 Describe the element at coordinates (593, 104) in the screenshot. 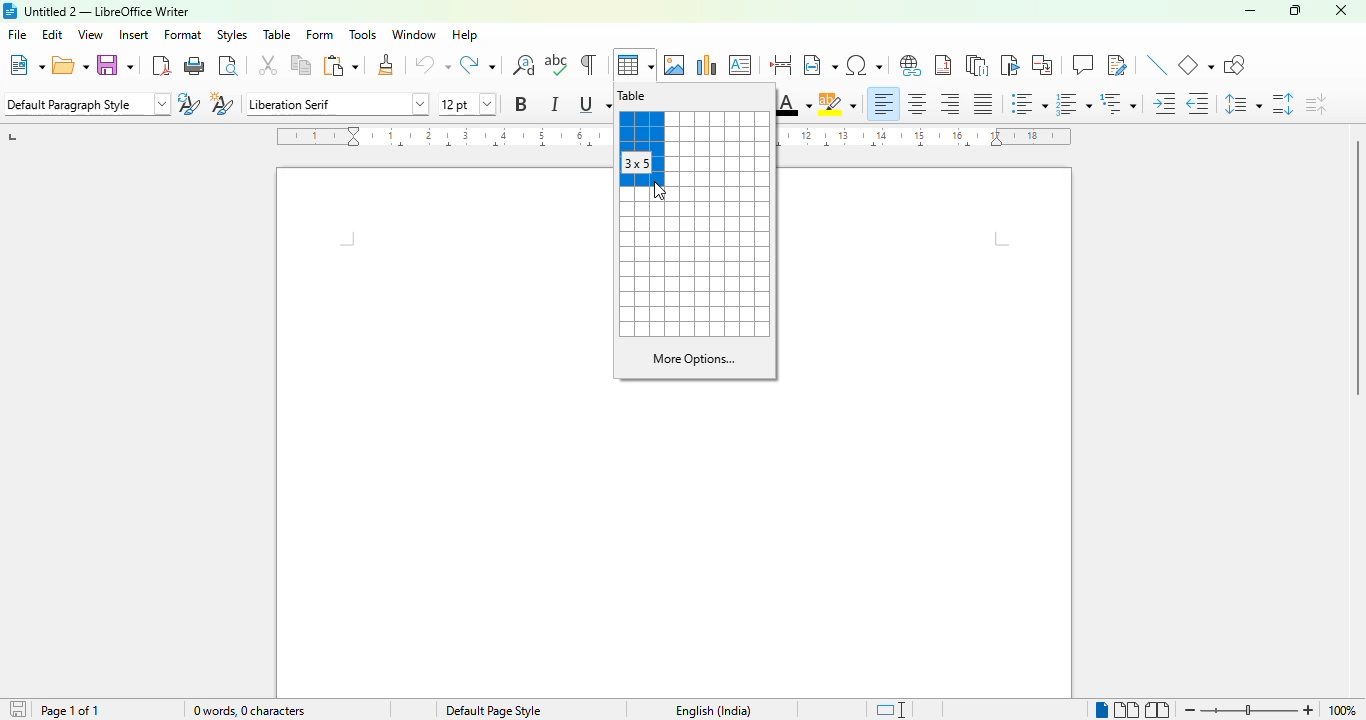

I see `underline` at that location.